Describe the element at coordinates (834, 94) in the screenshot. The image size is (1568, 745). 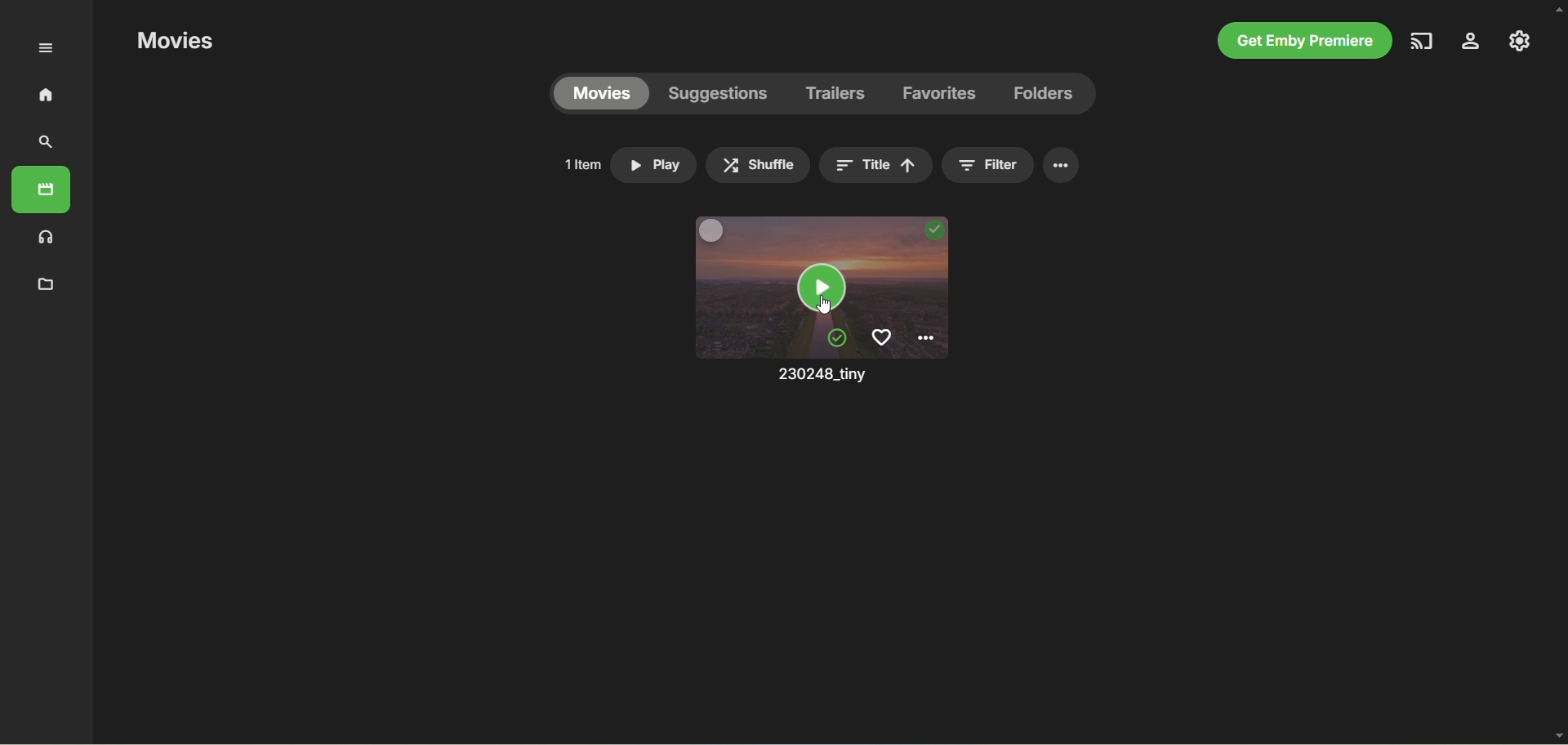
I see `trailers` at that location.